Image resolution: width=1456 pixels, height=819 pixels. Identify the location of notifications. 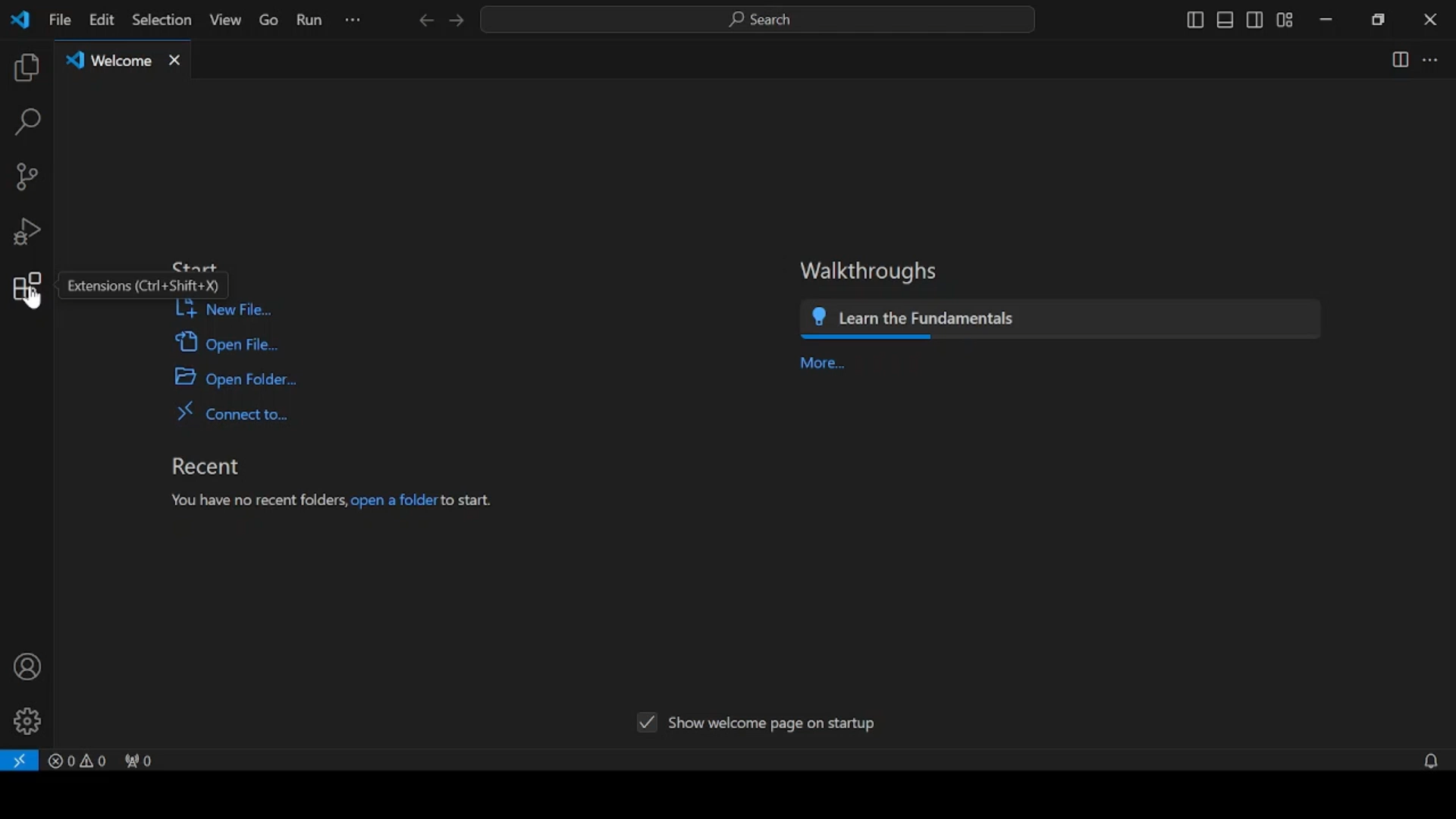
(1431, 760).